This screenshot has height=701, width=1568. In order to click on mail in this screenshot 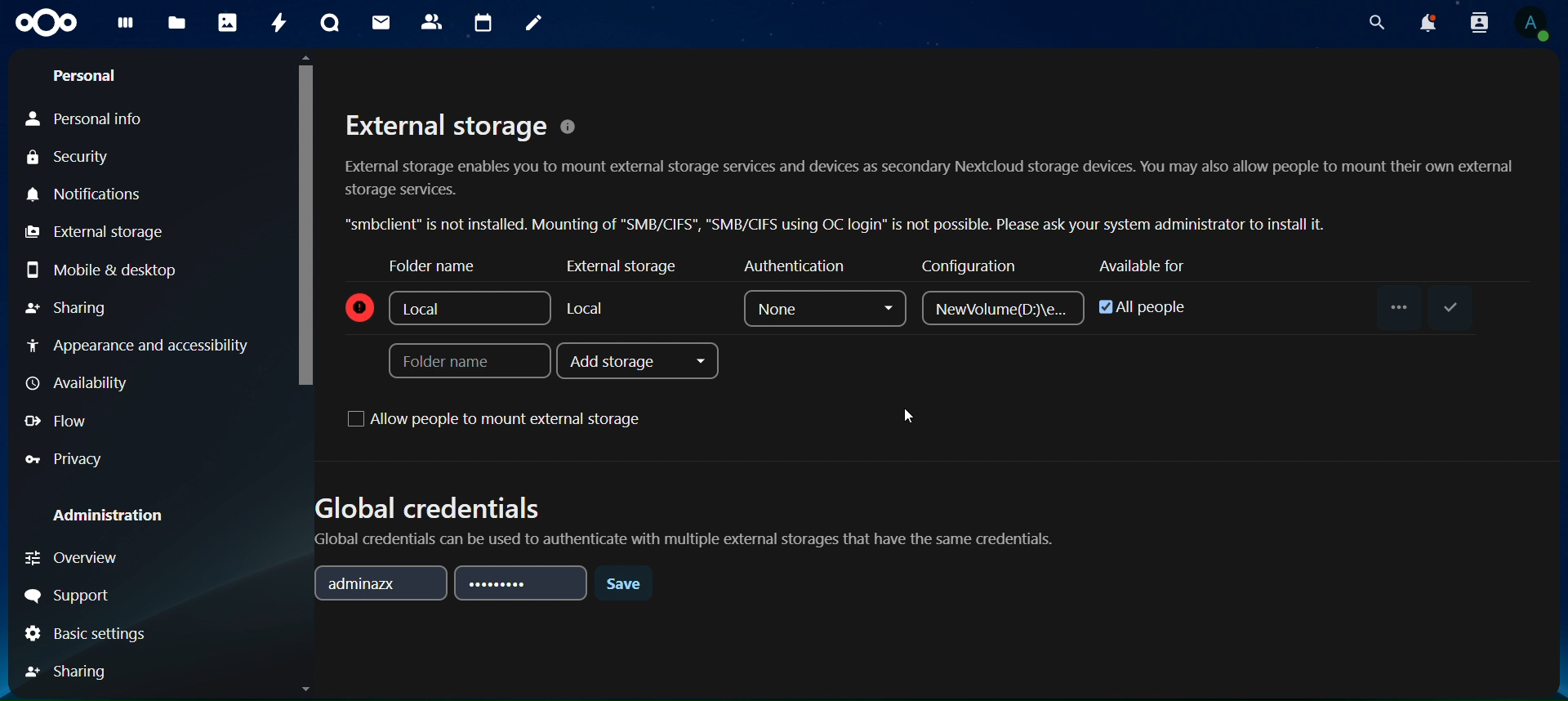, I will do `click(381, 24)`.